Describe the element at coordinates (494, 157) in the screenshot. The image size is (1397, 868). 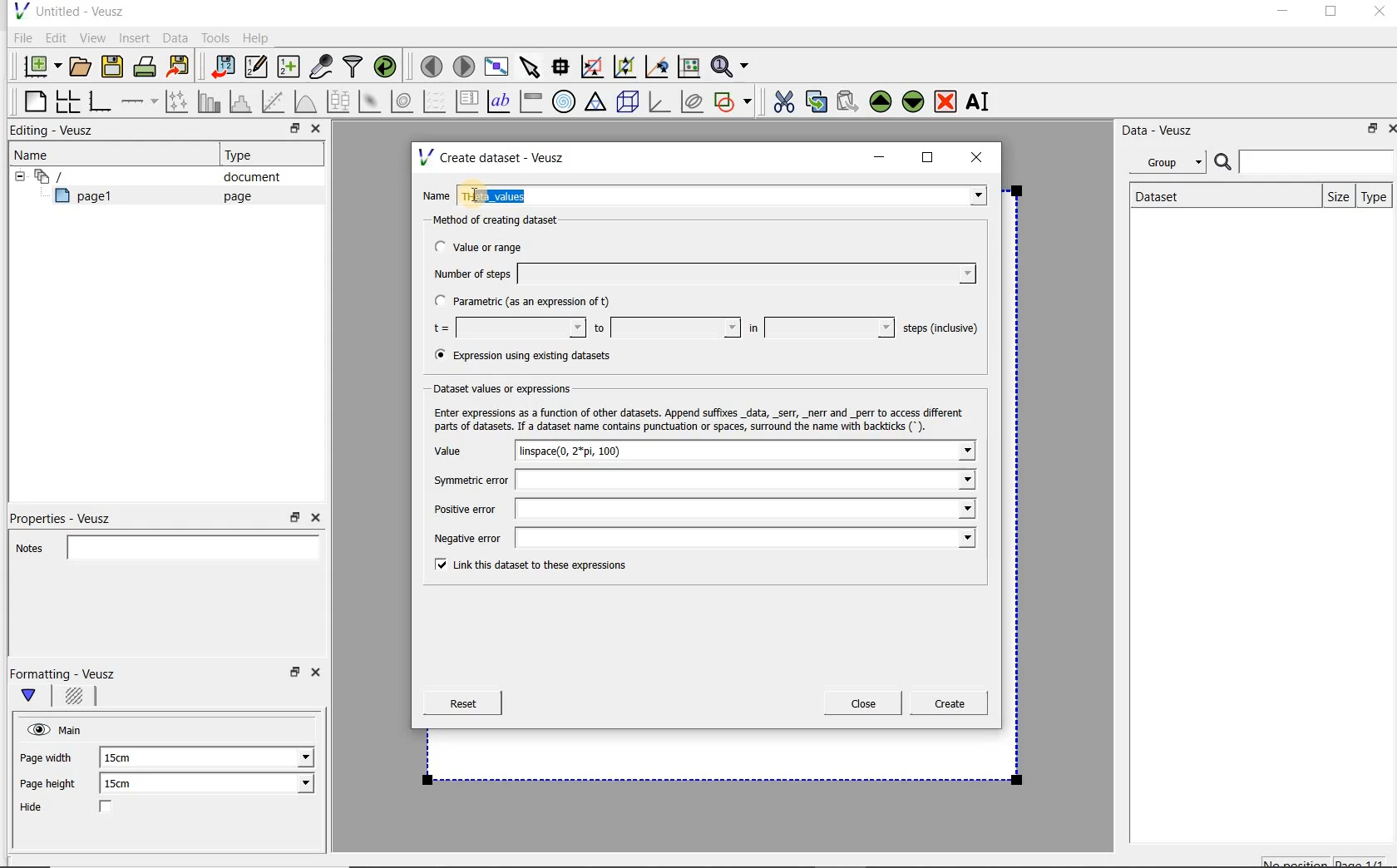
I see `Create dataset - Veusz` at that location.